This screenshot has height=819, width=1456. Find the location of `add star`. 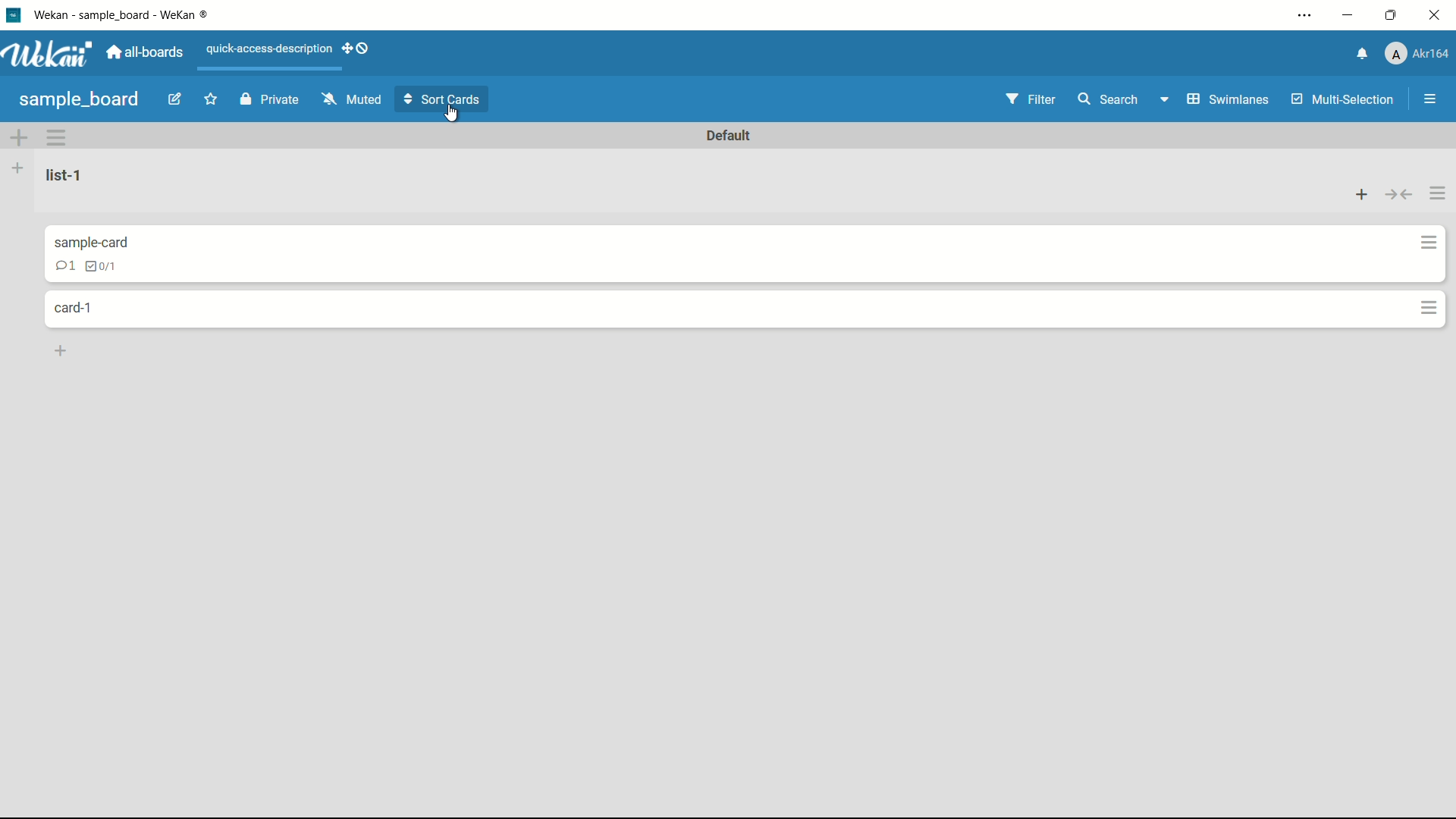

add star is located at coordinates (212, 99).